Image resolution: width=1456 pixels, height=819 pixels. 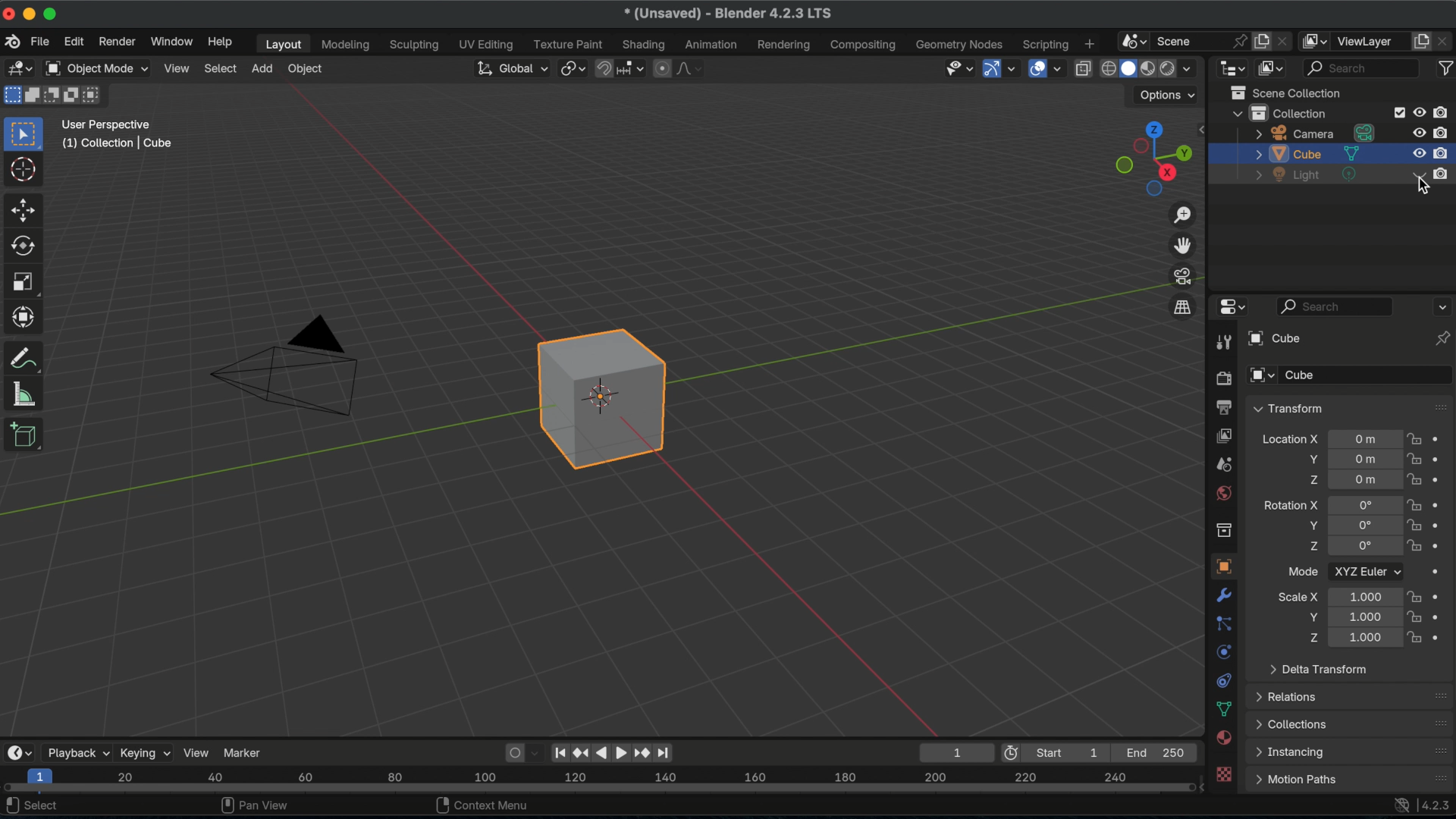 I want to click on add view layer, so click(x=1420, y=43).